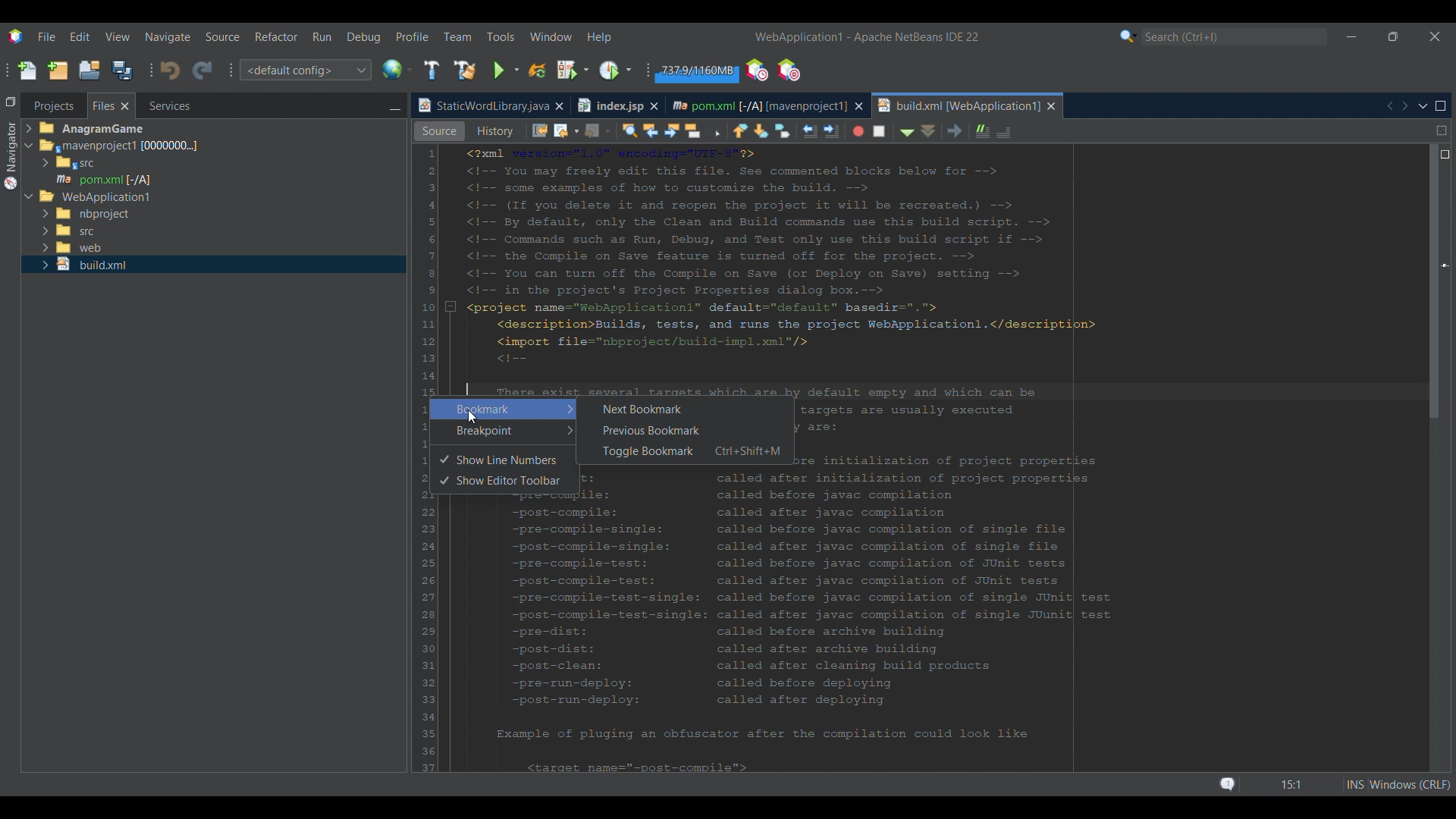 Image resolution: width=1456 pixels, height=819 pixels. I want to click on Selected file highlighted, so click(214, 179).